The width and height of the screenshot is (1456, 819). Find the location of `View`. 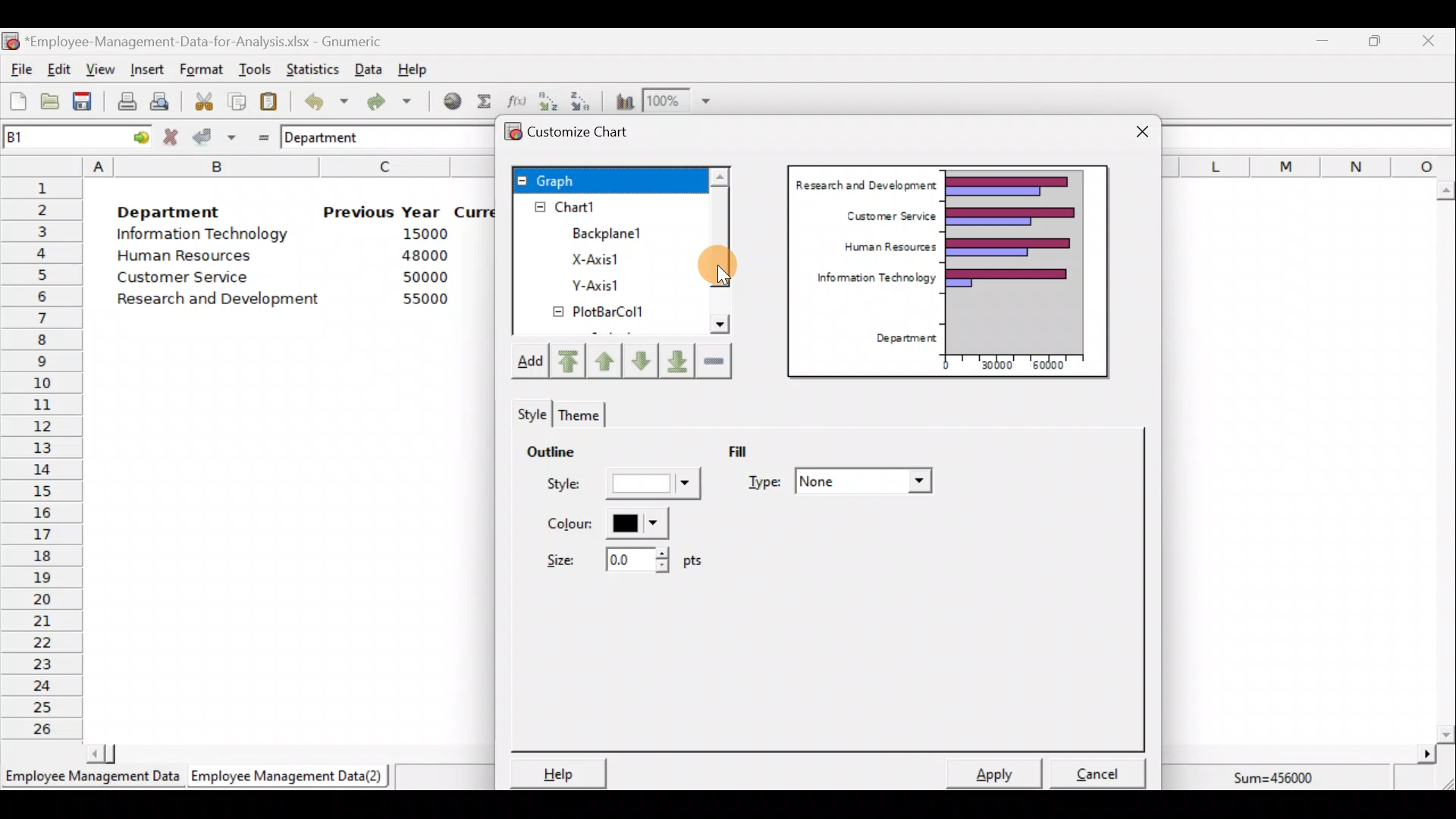

View is located at coordinates (99, 70).